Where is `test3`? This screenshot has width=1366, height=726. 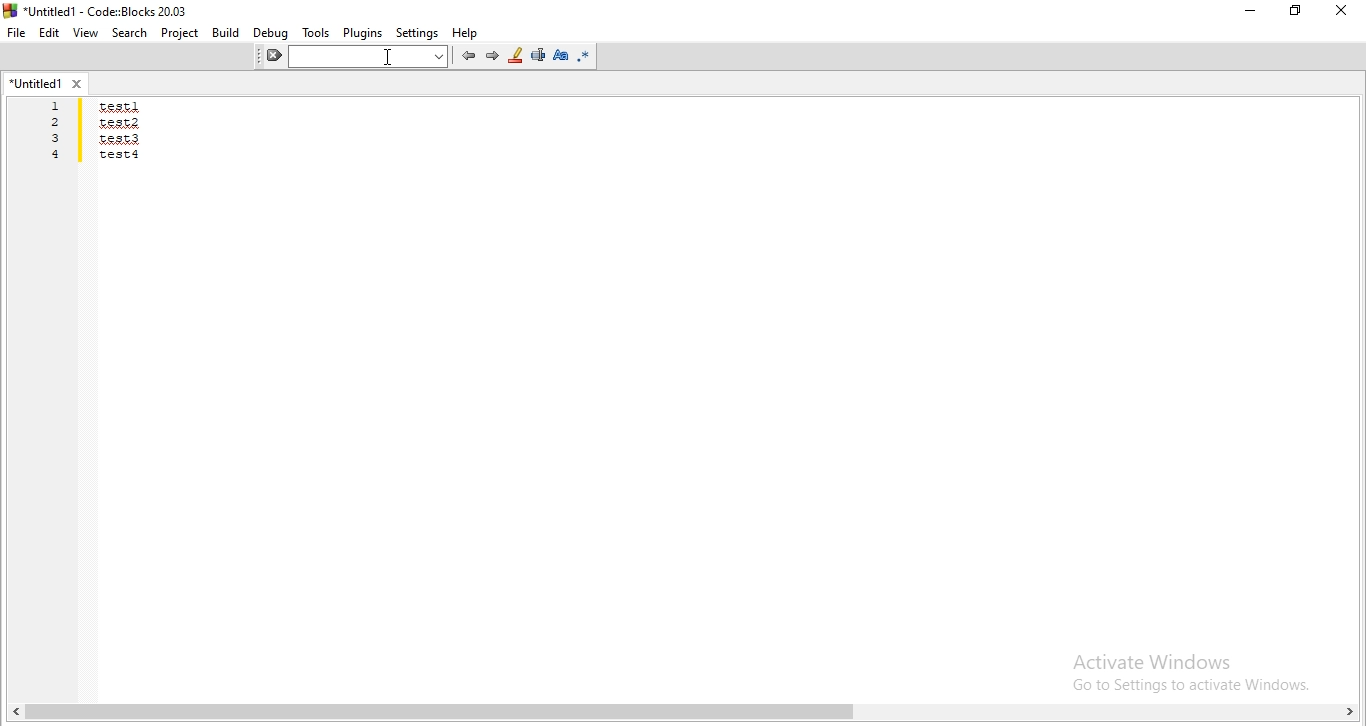
test3 is located at coordinates (121, 138).